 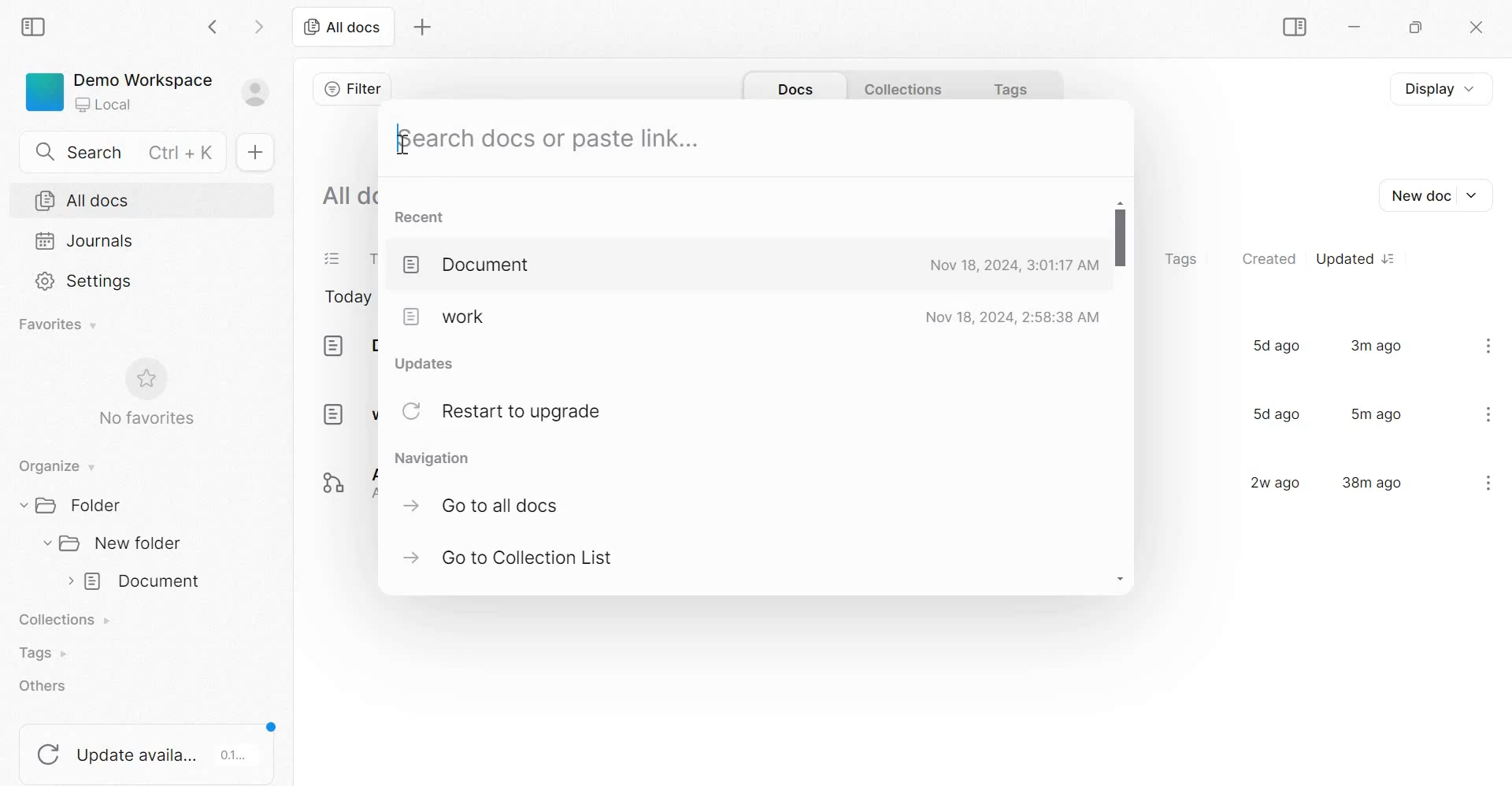 I want to click on work, so click(x=442, y=318).